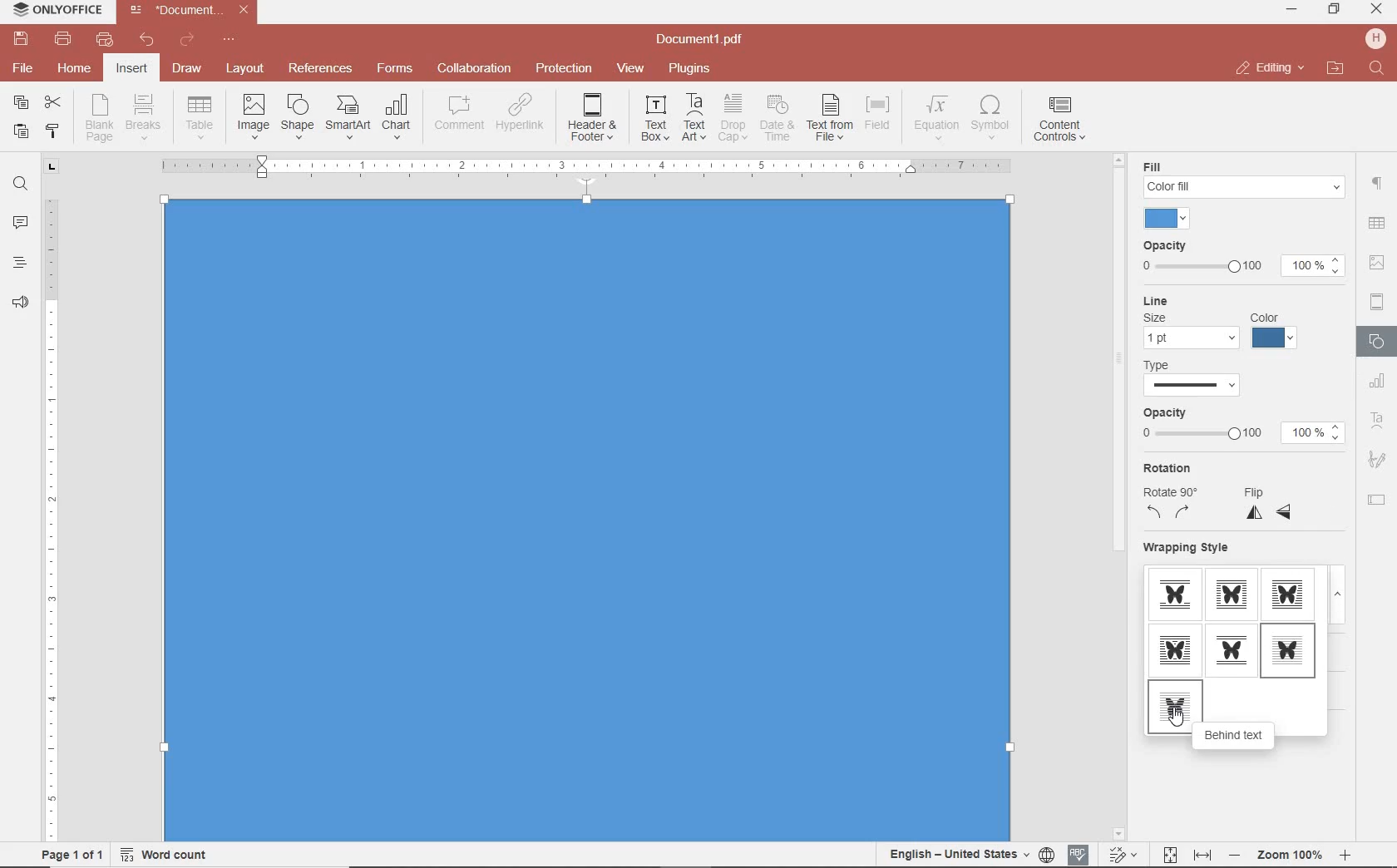  Describe the element at coordinates (1232, 649) in the screenshot. I see `TOP & BOTTOM` at that location.